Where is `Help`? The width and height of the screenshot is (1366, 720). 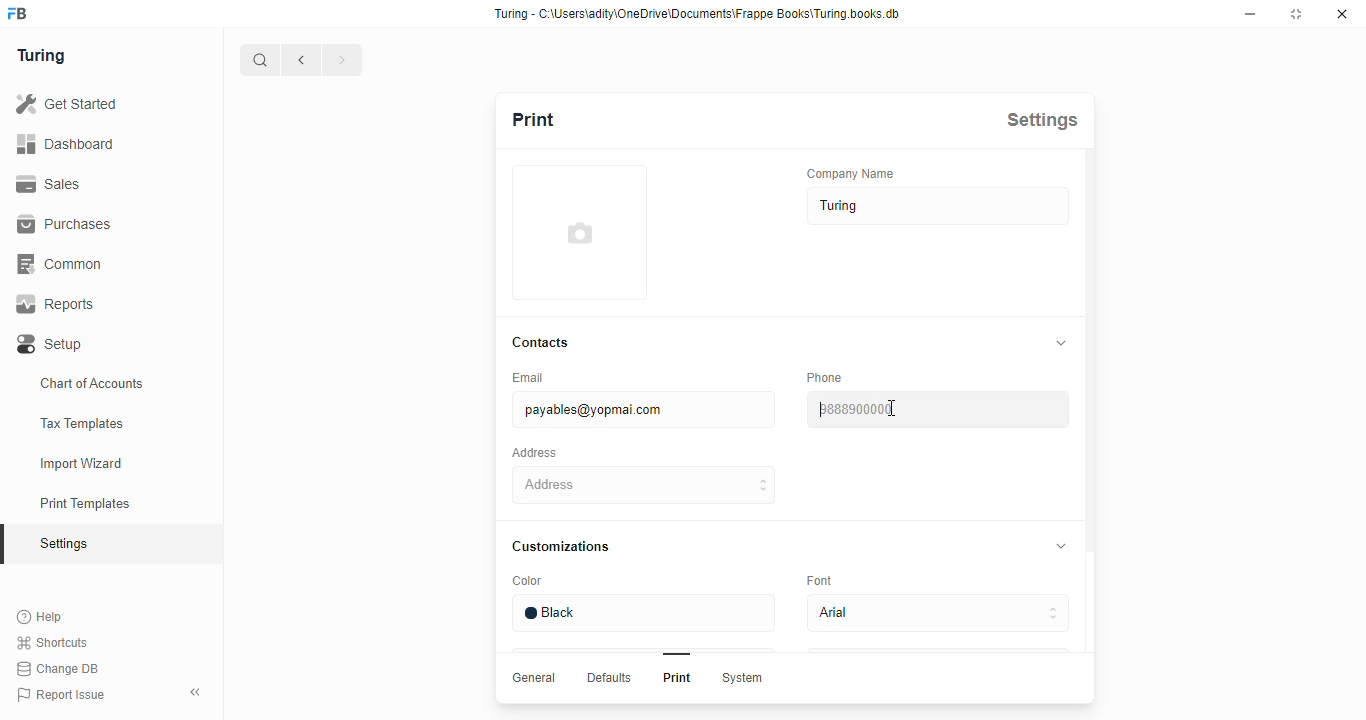 Help is located at coordinates (43, 616).